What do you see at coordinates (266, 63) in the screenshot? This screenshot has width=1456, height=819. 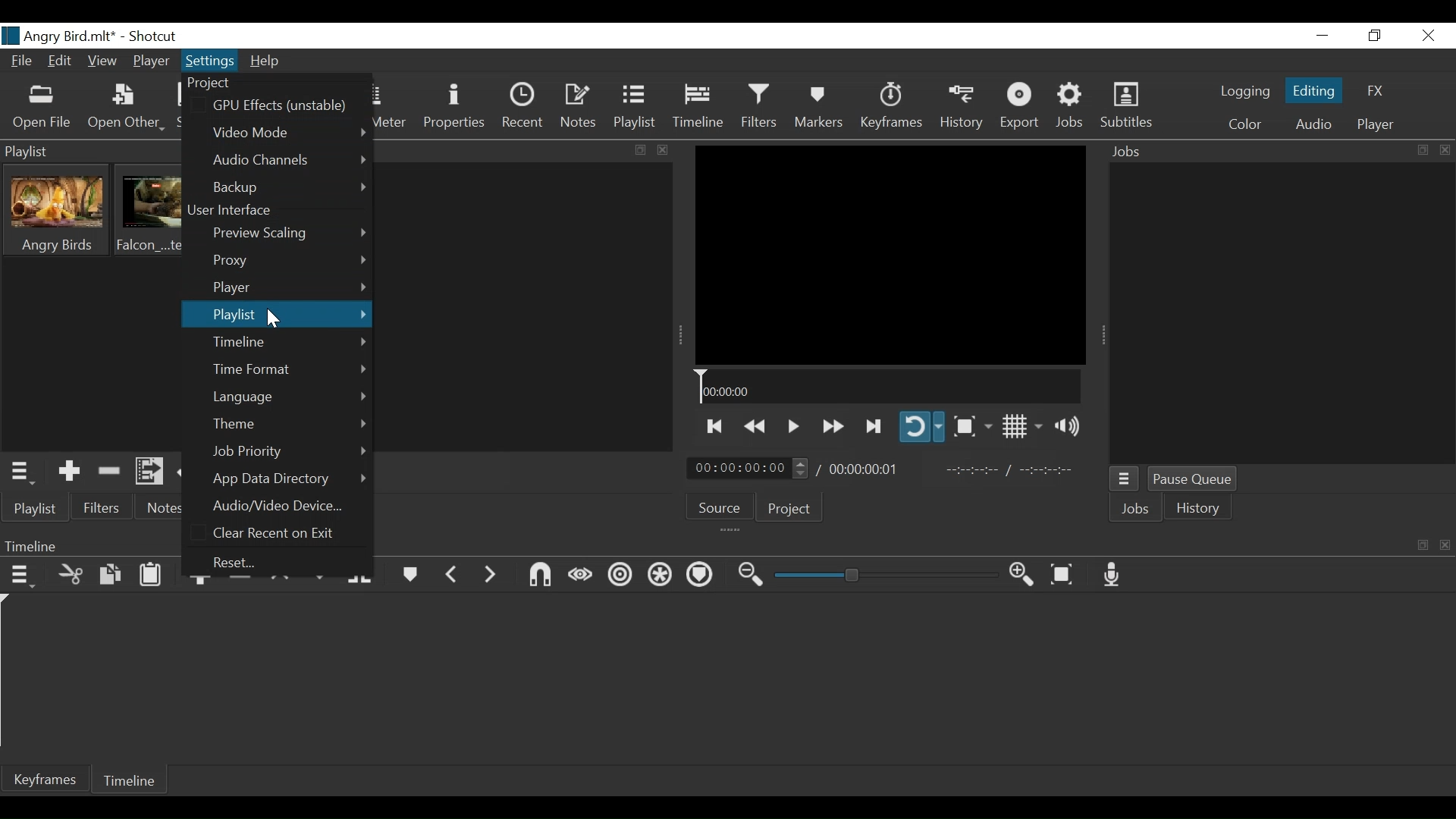 I see `Help` at bounding box center [266, 63].